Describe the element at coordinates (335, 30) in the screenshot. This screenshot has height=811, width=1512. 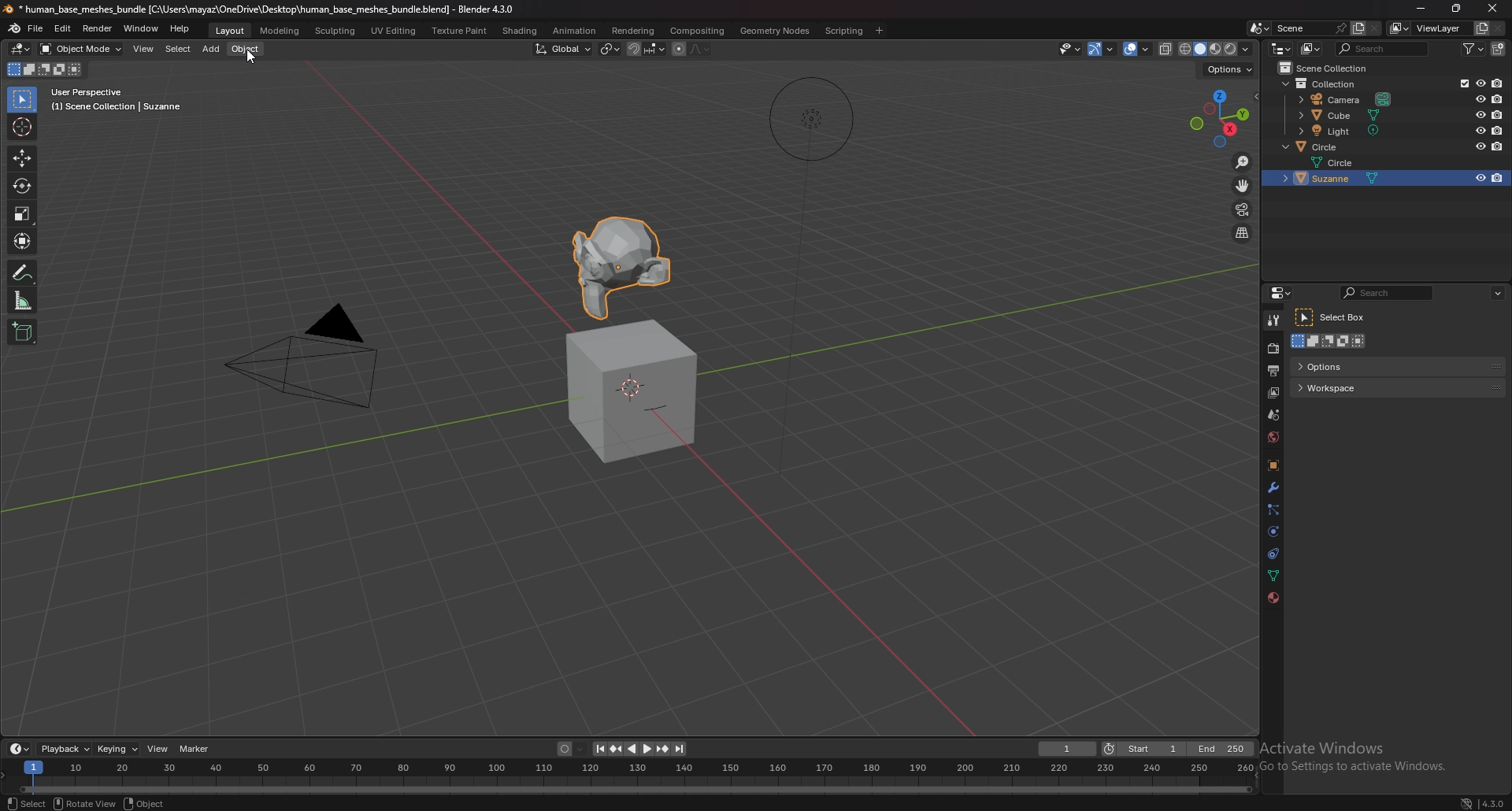
I see `sculpting` at that location.